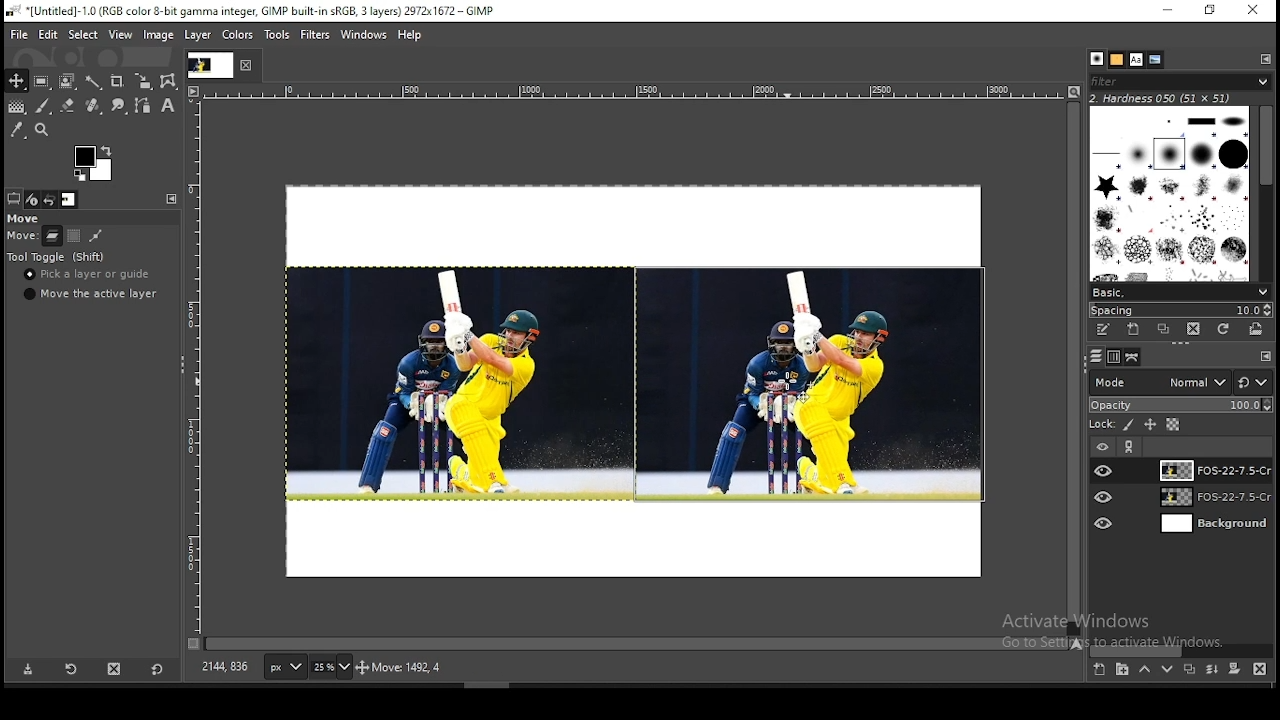 This screenshot has width=1280, height=720. Describe the element at coordinates (410, 37) in the screenshot. I see `help` at that location.